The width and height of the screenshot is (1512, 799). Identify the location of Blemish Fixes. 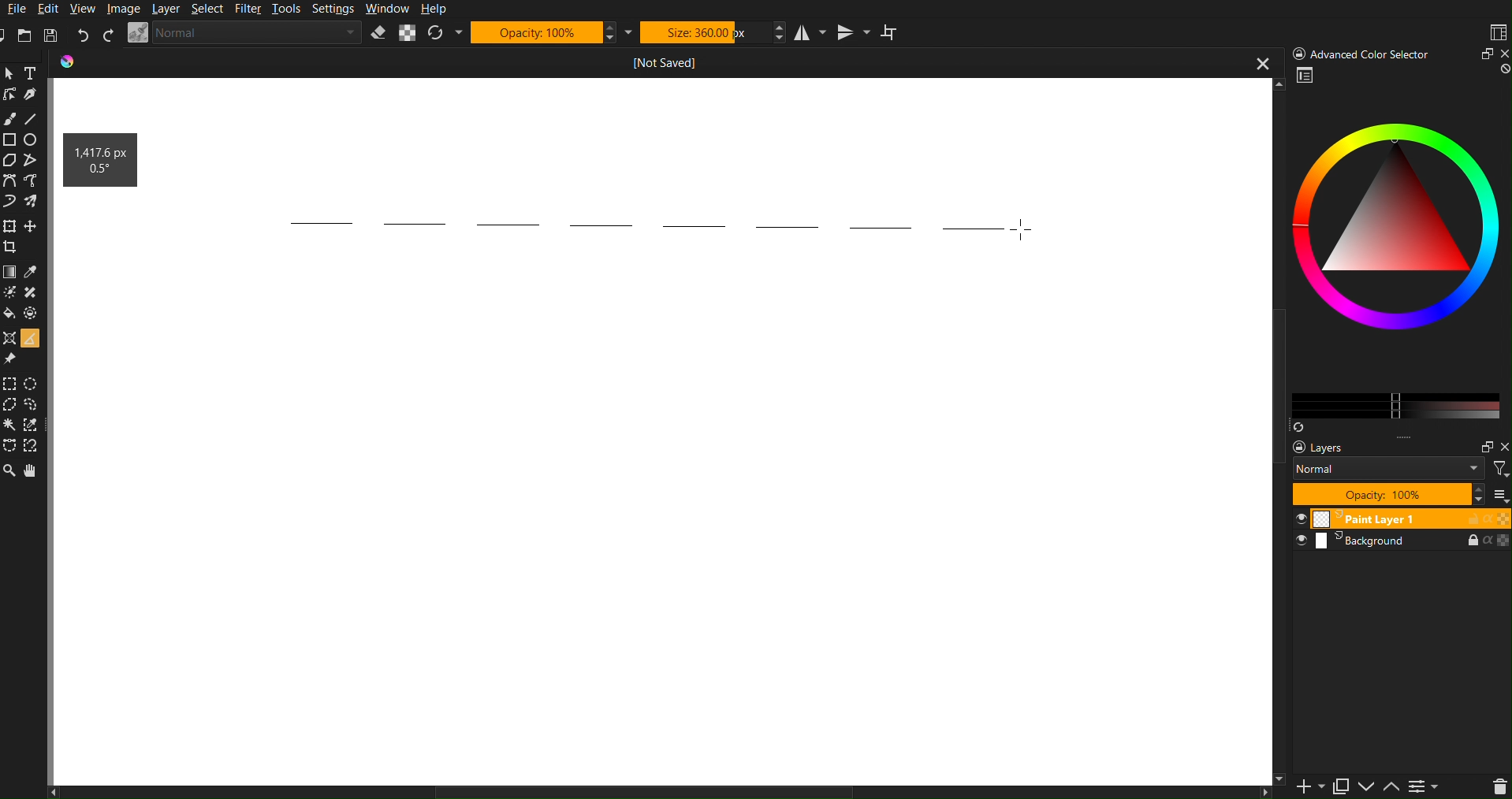
(33, 294).